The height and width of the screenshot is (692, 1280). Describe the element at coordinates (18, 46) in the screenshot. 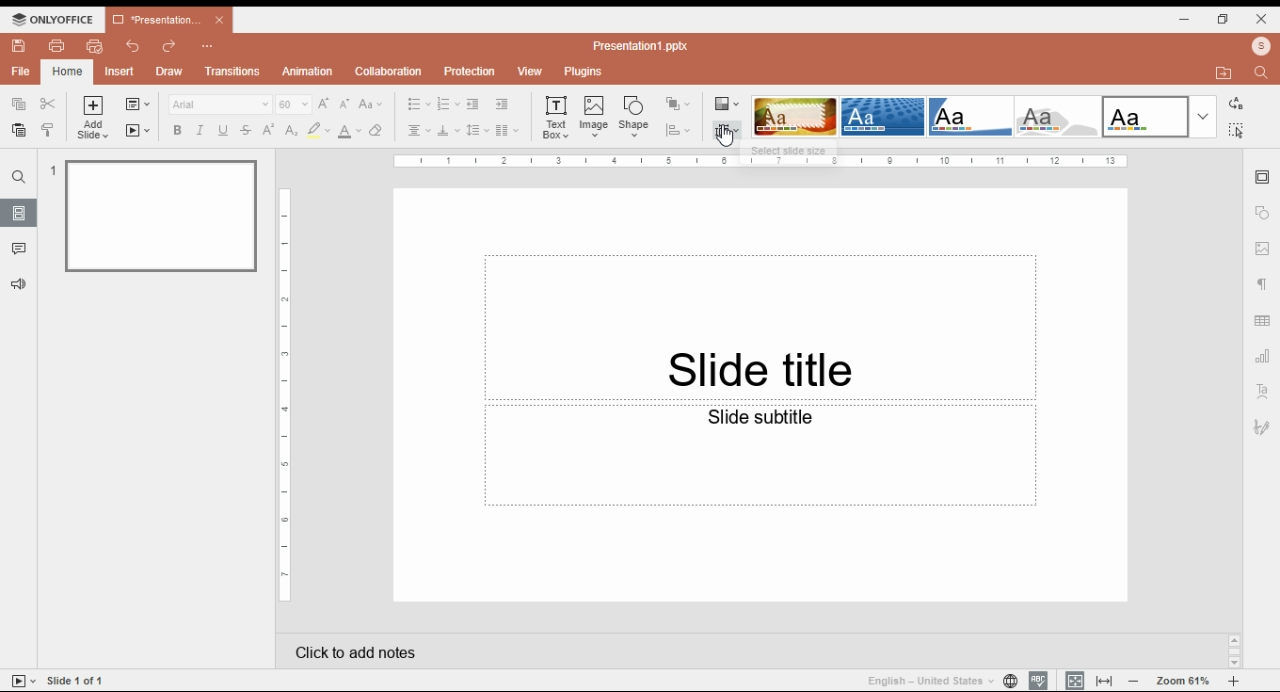

I see `save` at that location.